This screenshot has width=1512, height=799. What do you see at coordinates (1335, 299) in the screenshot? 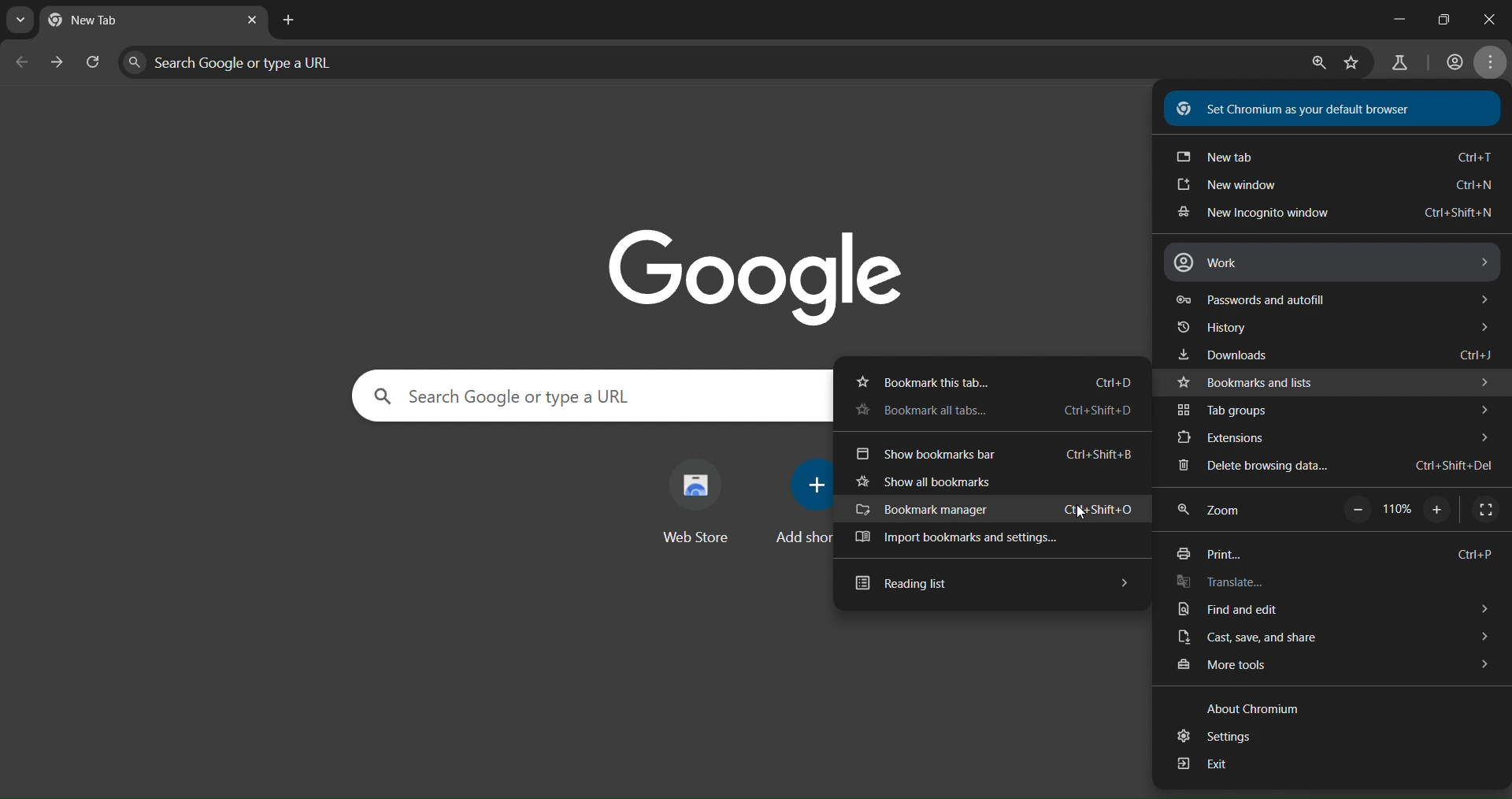
I see `passwords and autofill` at bounding box center [1335, 299].